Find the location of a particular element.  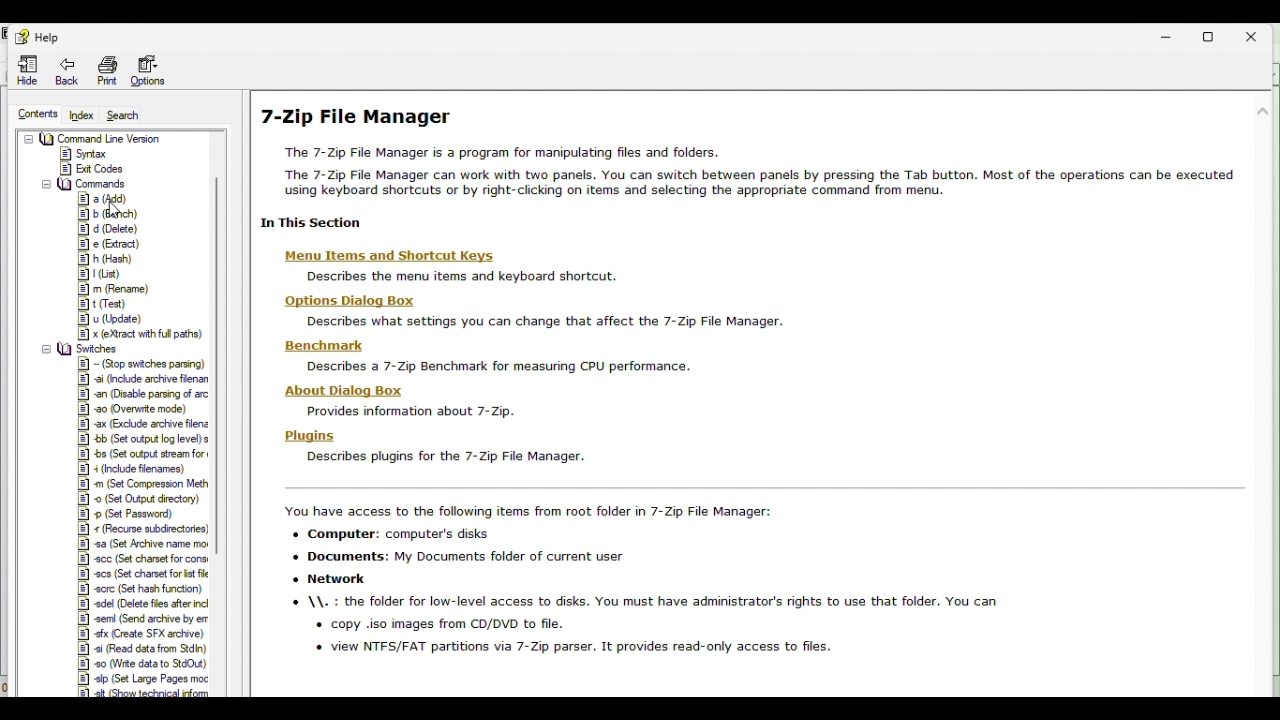

| In This Section is located at coordinates (307, 224).